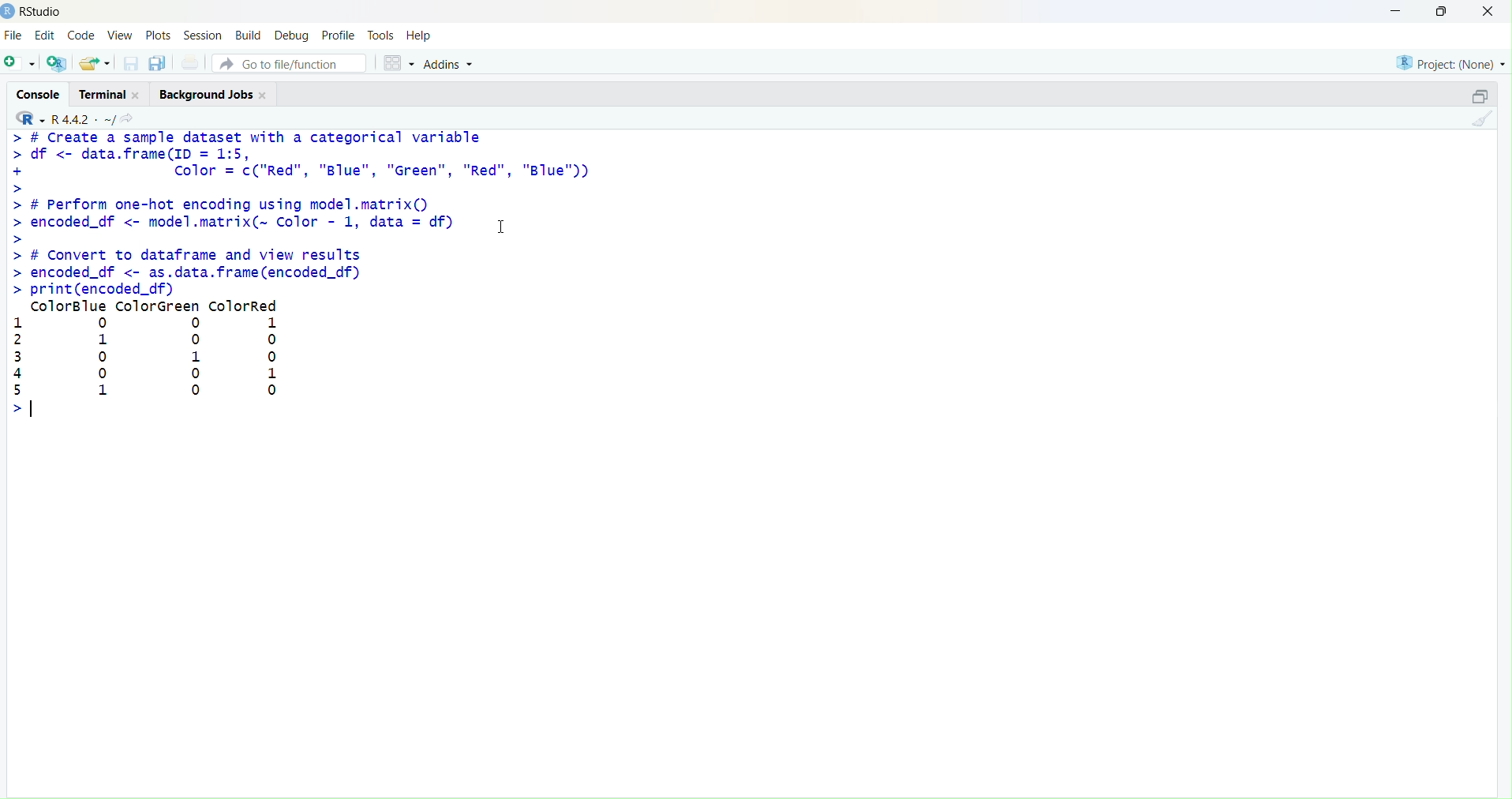 The height and width of the screenshot is (799, 1512). I want to click on profile, so click(341, 36).